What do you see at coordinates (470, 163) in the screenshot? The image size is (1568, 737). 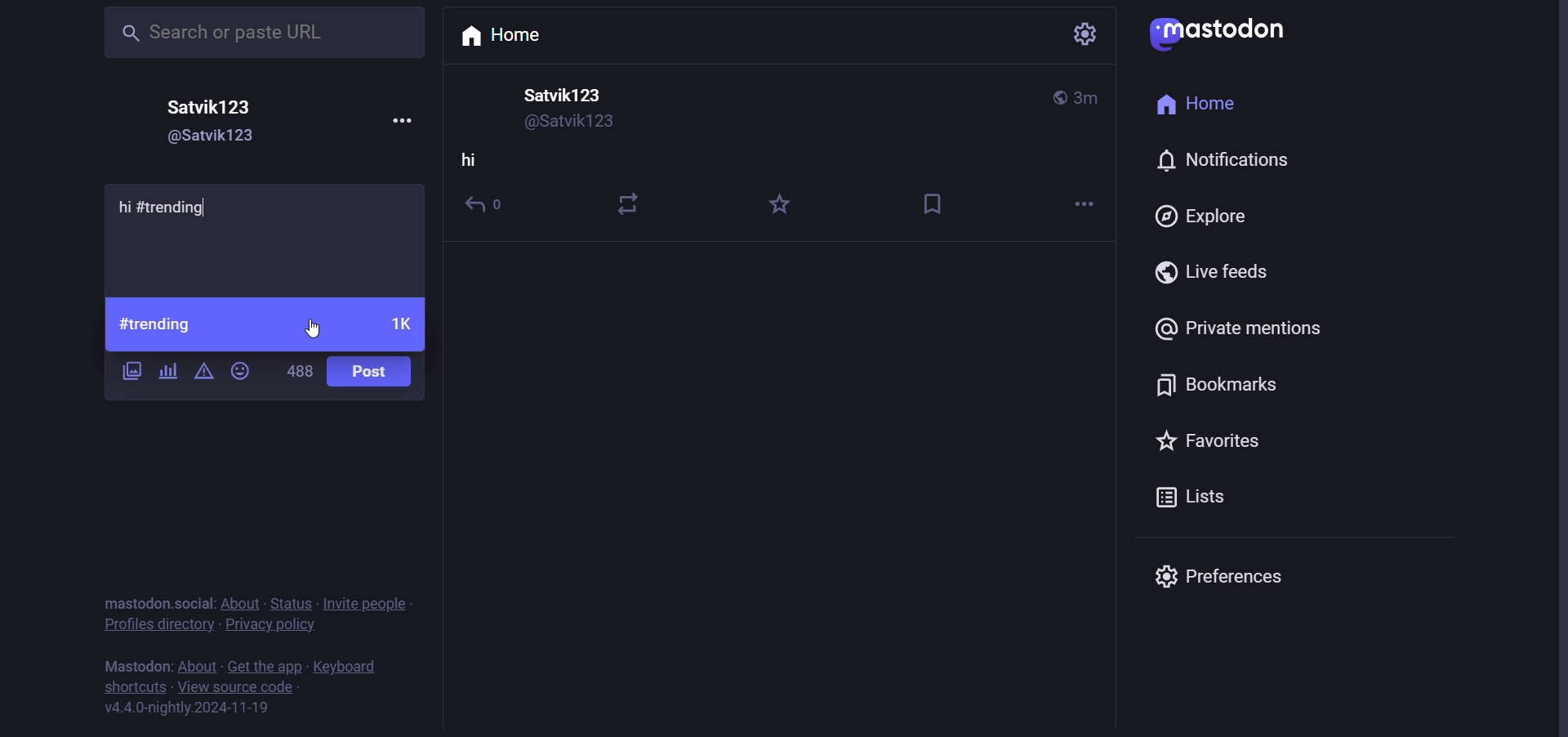 I see `hi` at bounding box center [470, 163].